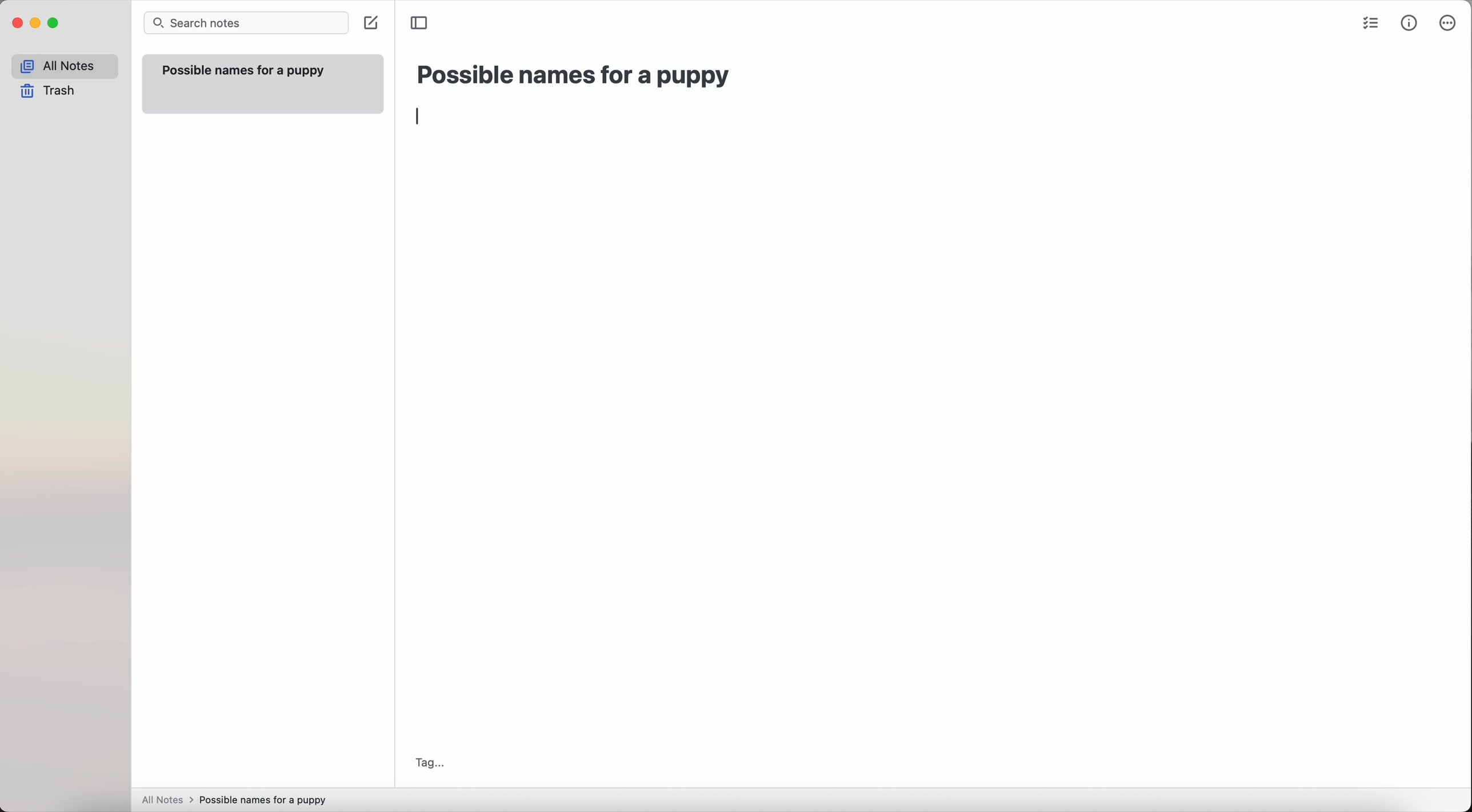 The image size is (1472, 812). I want to click on search bar, so click(246, 24).